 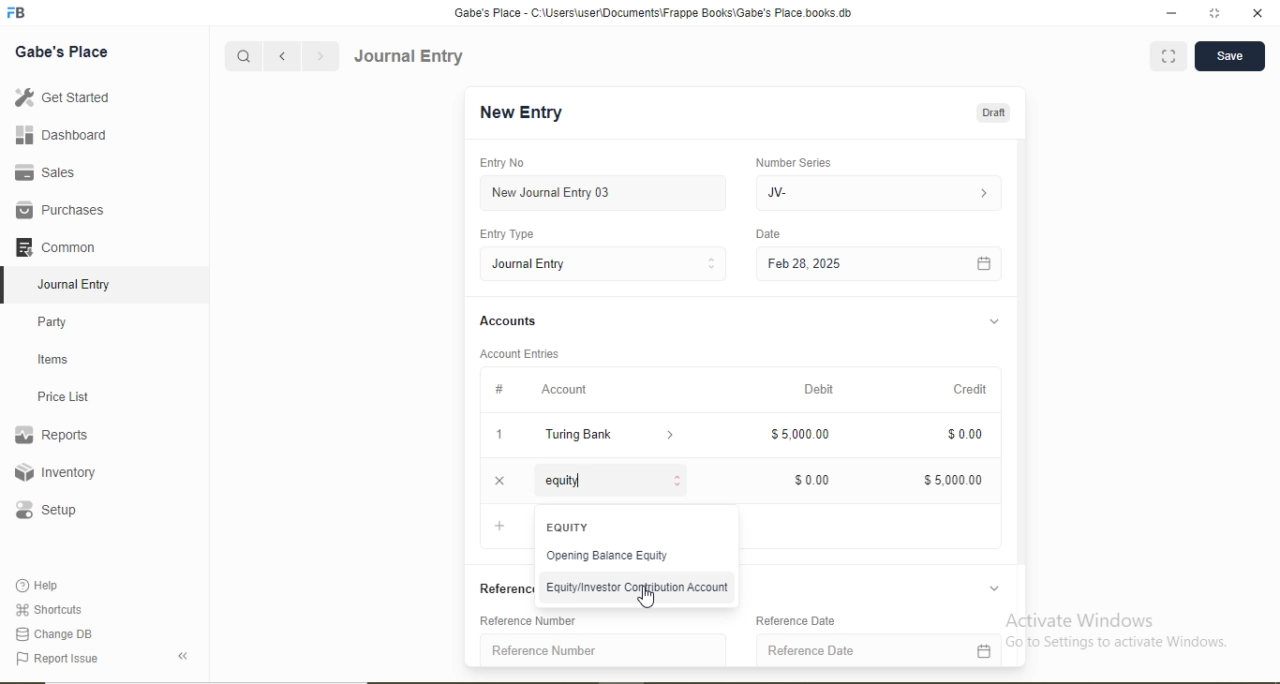 I want to click on References, so click(x=506, y=589).